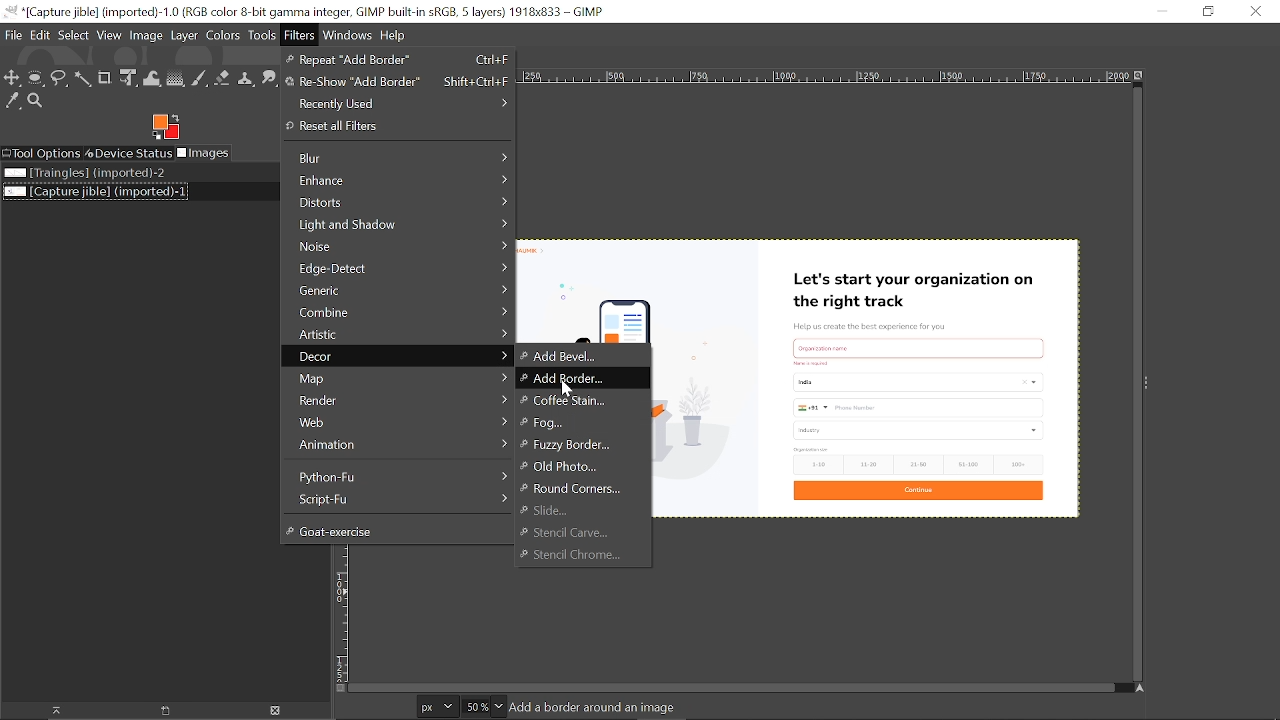  Describe the element at coordinates (399, 247) in the screenshot. I see `Noise` at that location.